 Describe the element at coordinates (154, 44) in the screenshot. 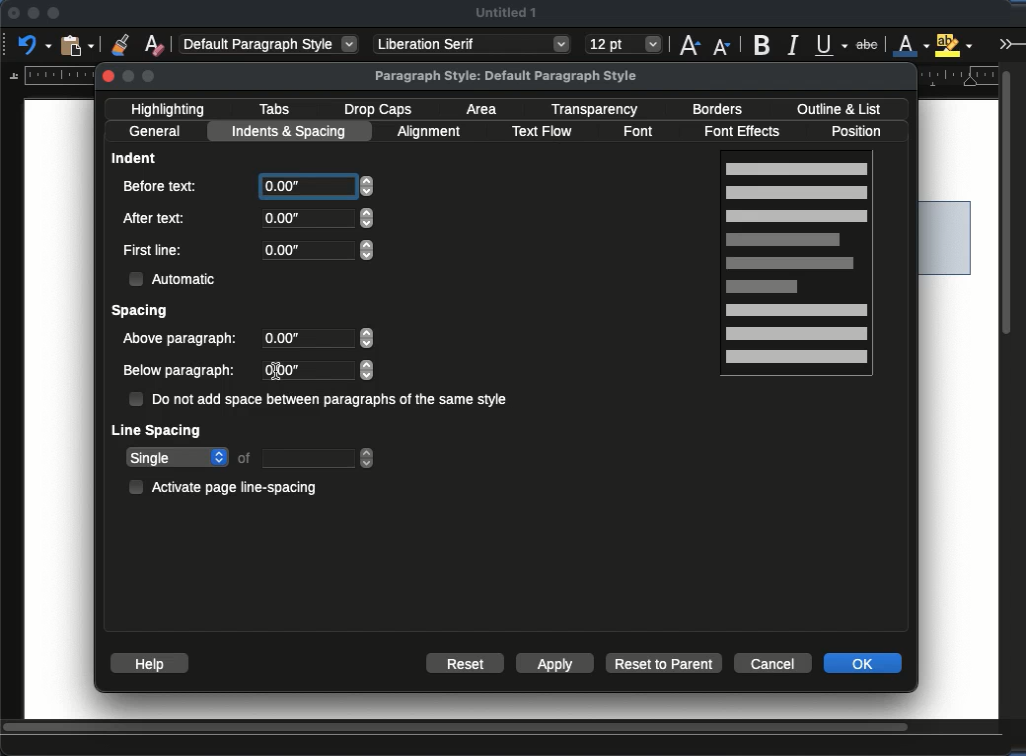

I see `clear formatting` at that location.